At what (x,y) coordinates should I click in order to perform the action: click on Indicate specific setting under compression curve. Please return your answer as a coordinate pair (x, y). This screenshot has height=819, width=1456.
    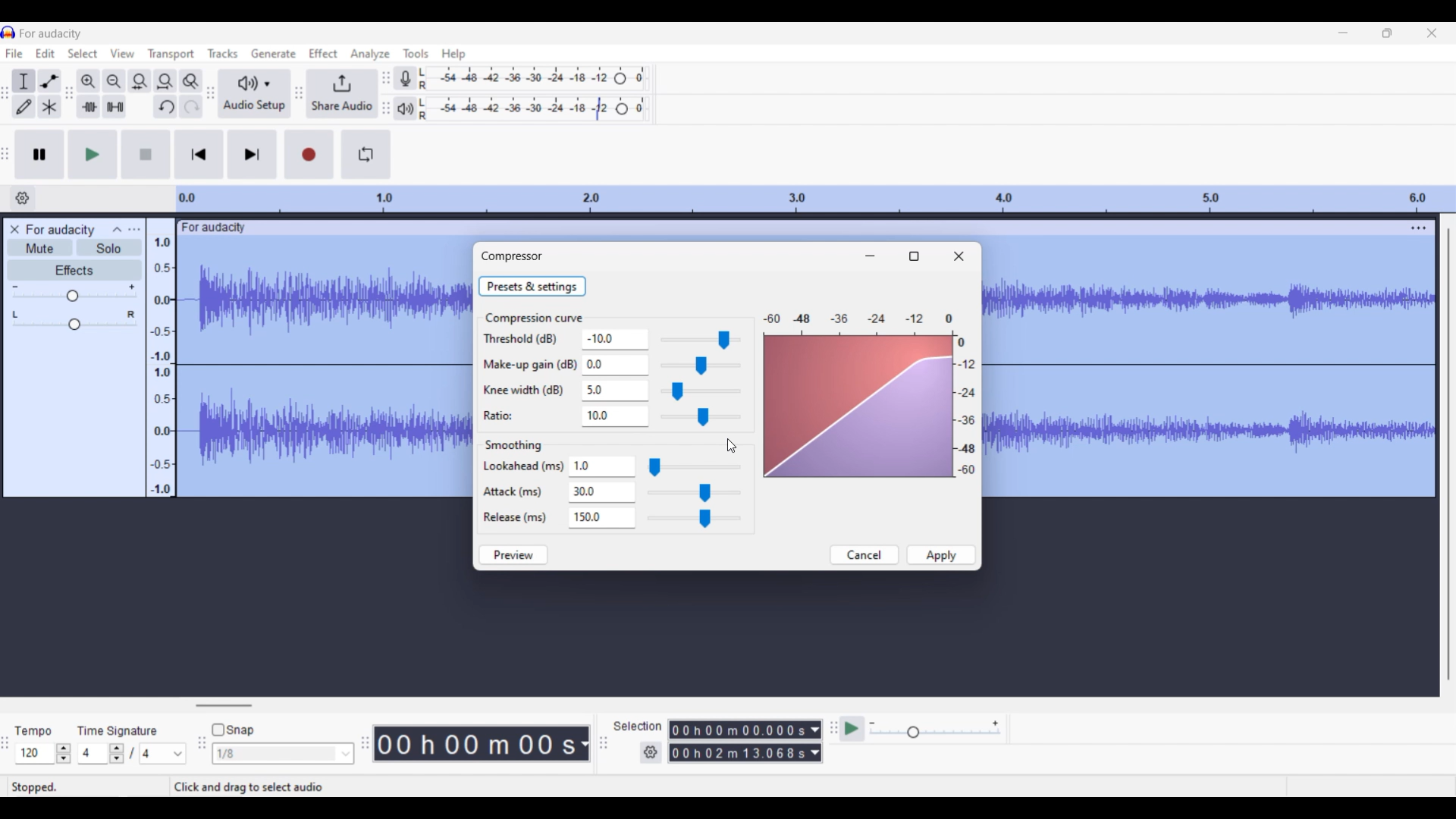
    Looking at the image, I should click on (529, 377).